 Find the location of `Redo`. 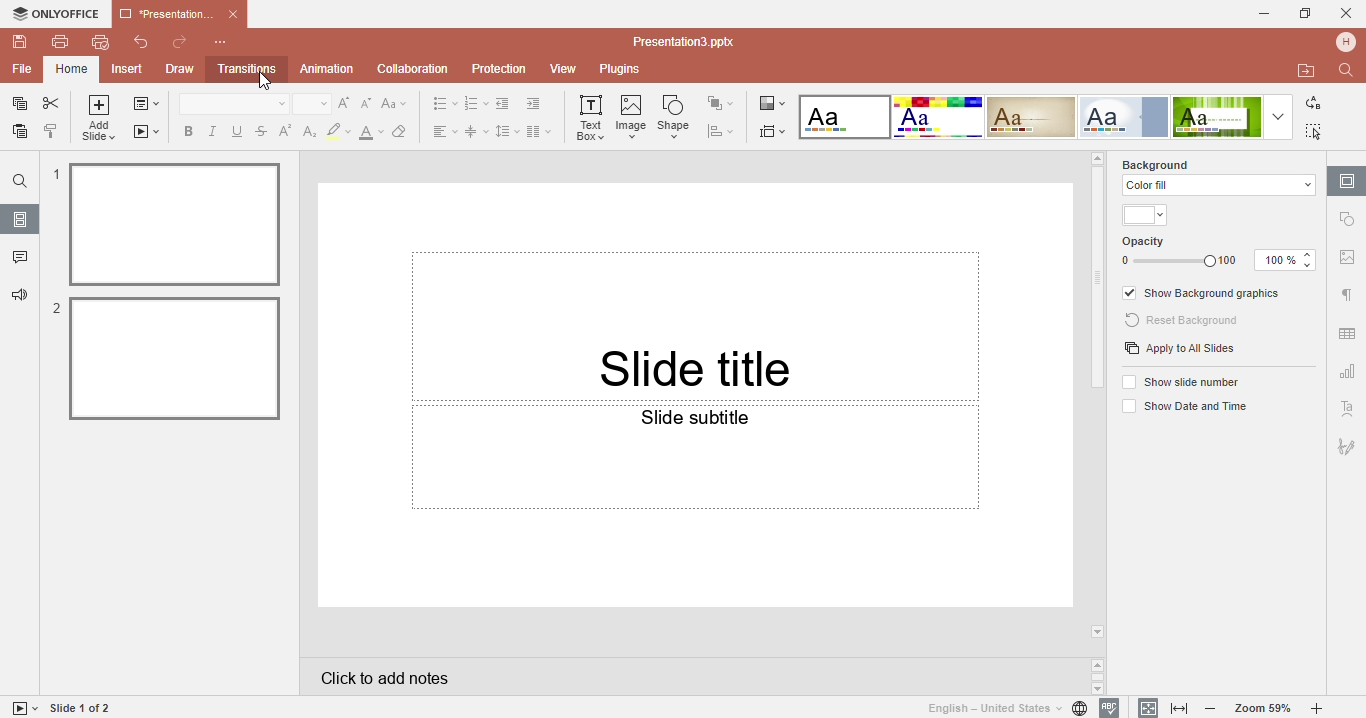

Redo is located at coordinates (179, 43).